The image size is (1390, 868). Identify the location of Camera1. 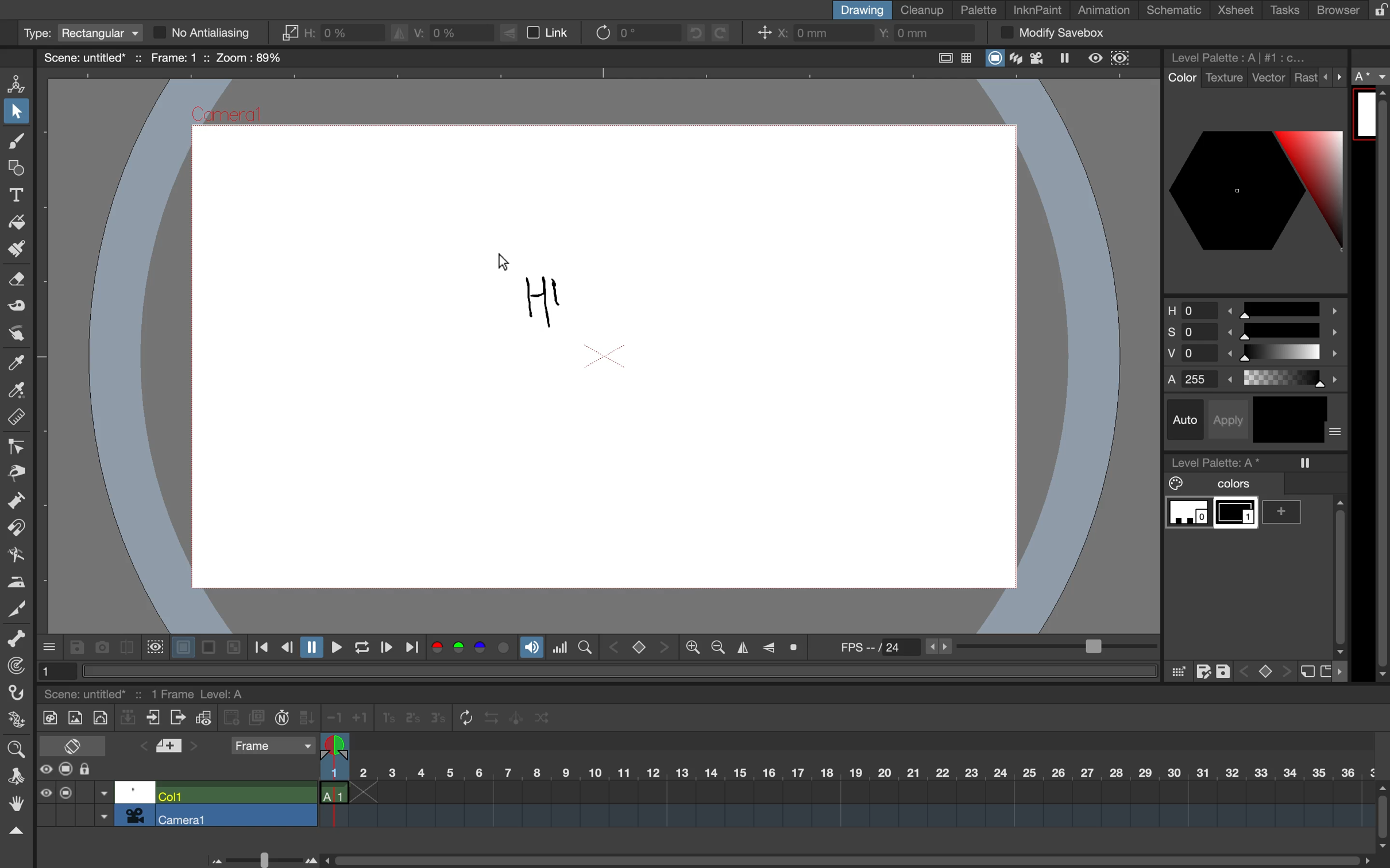
(228, 116).